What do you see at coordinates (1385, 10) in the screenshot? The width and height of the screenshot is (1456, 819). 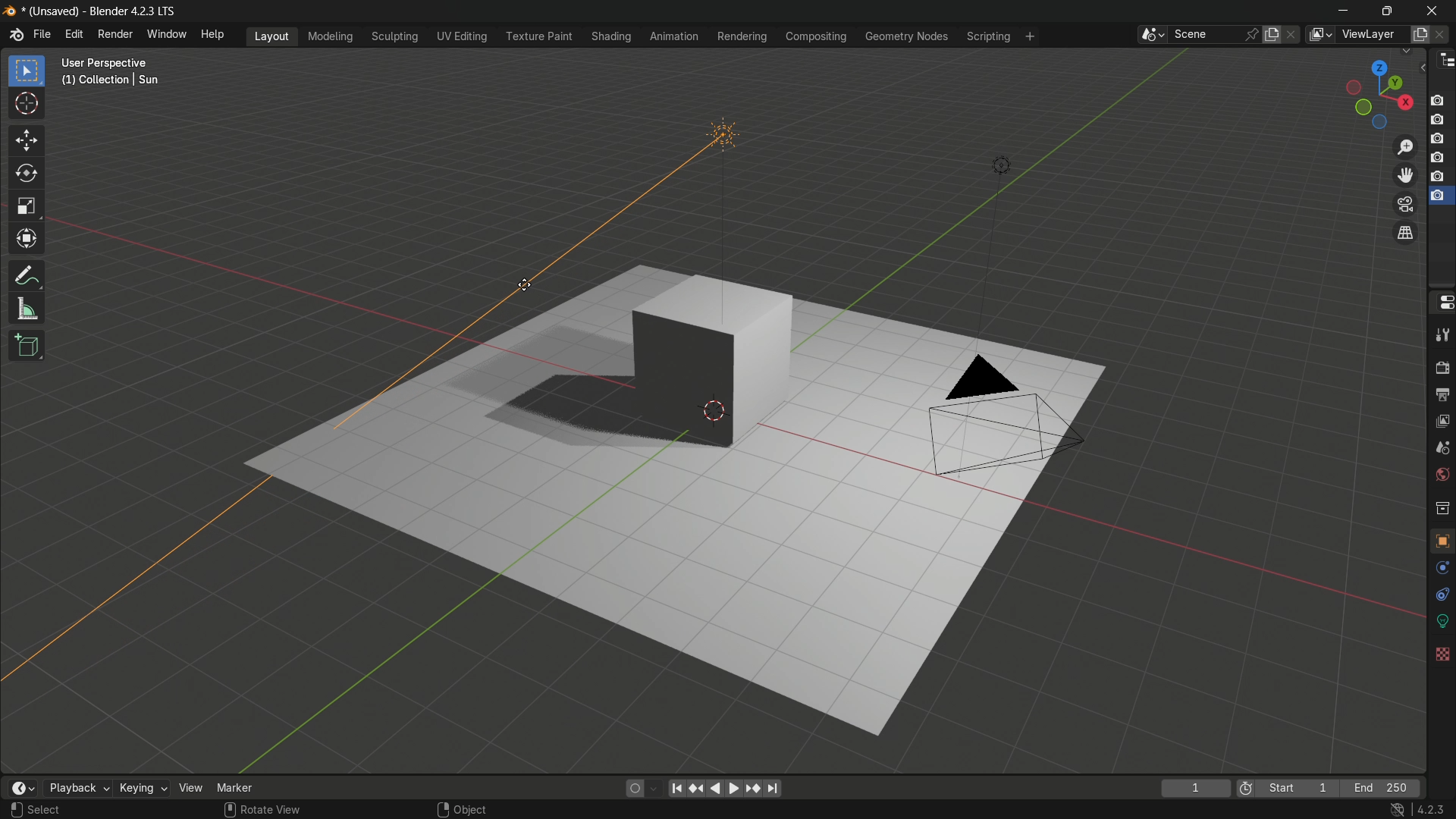 I see `maximize or restore` at bounding box center [1385, 10].